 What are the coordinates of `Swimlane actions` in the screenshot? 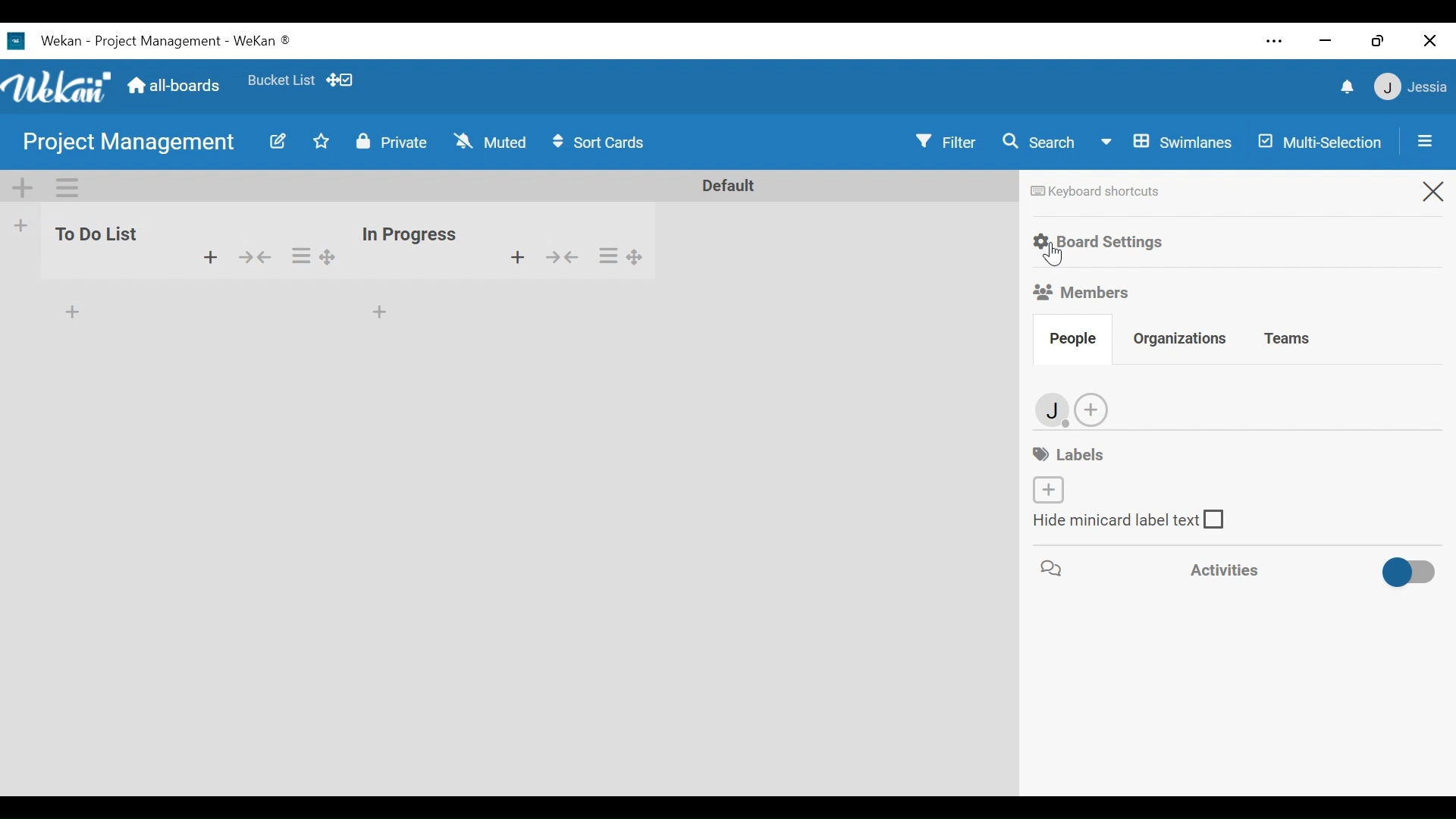 It's located at (67, 188).